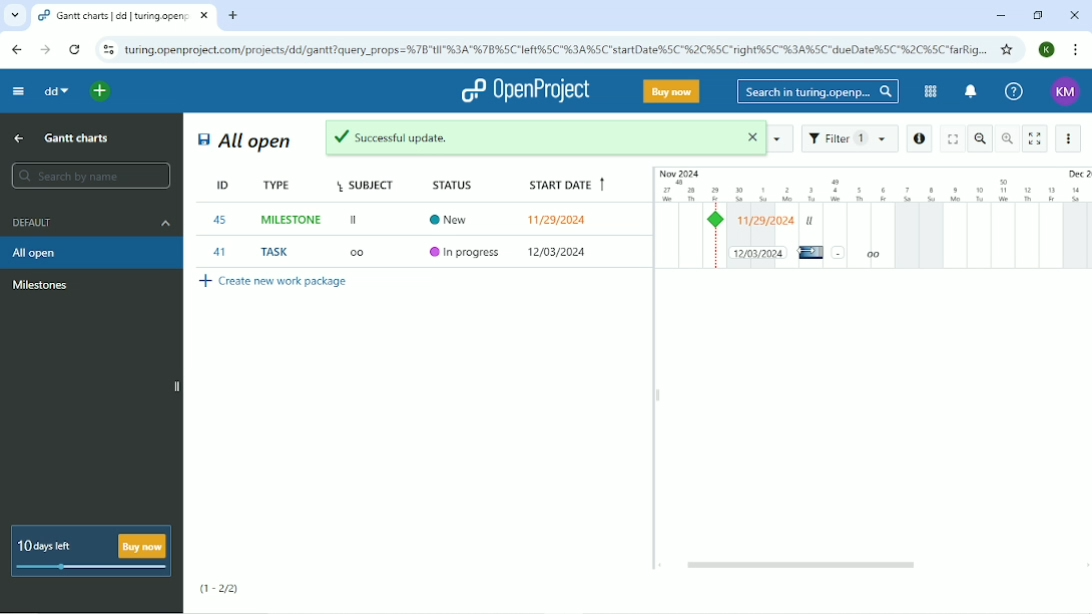  What do you see at coordinates (41, 285) in the screenshot?
I see `Milestone` at bounding box center [41, 285].